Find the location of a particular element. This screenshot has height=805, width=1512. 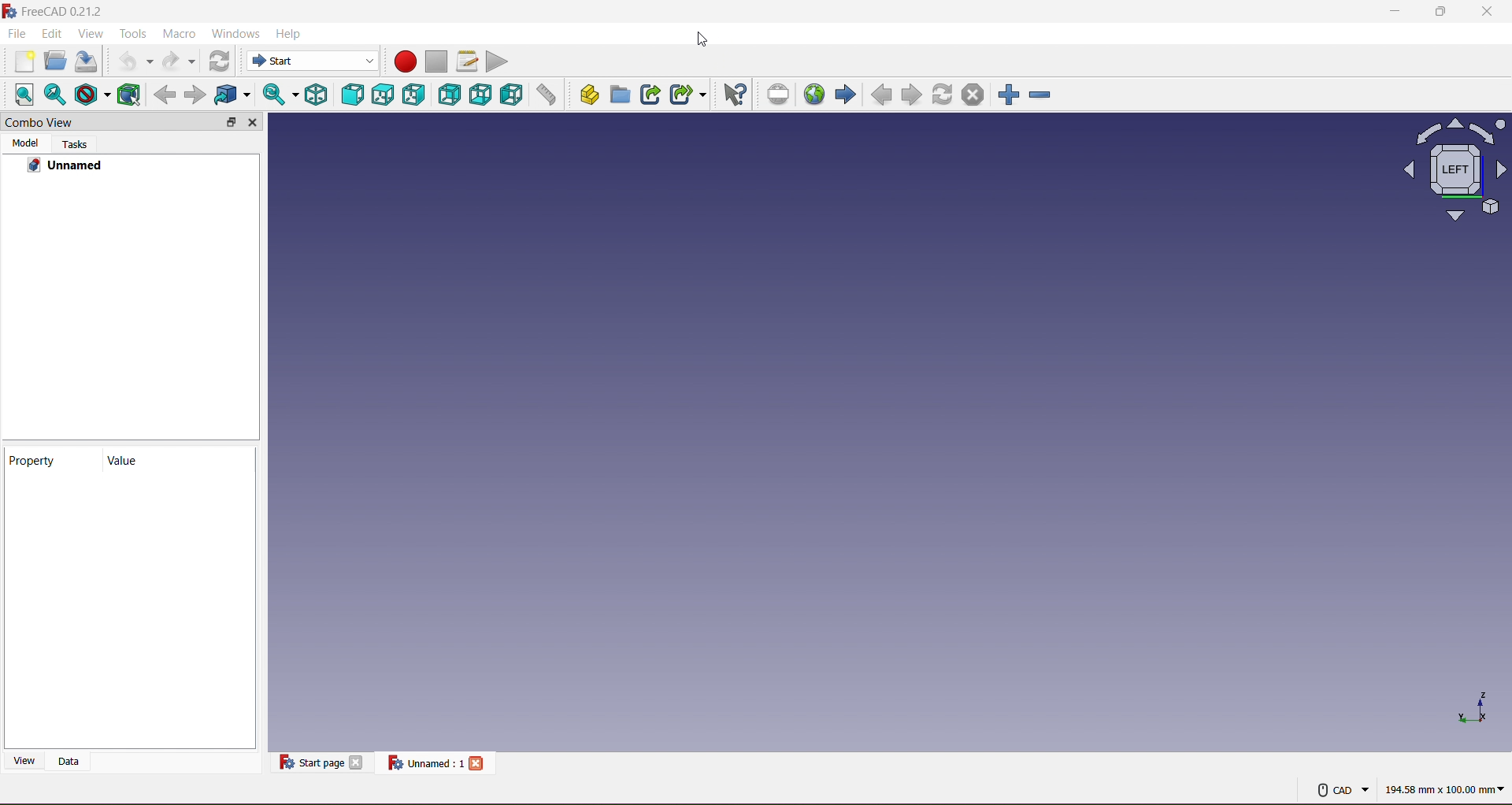

Wireframe is located at coordinates (128, 94).